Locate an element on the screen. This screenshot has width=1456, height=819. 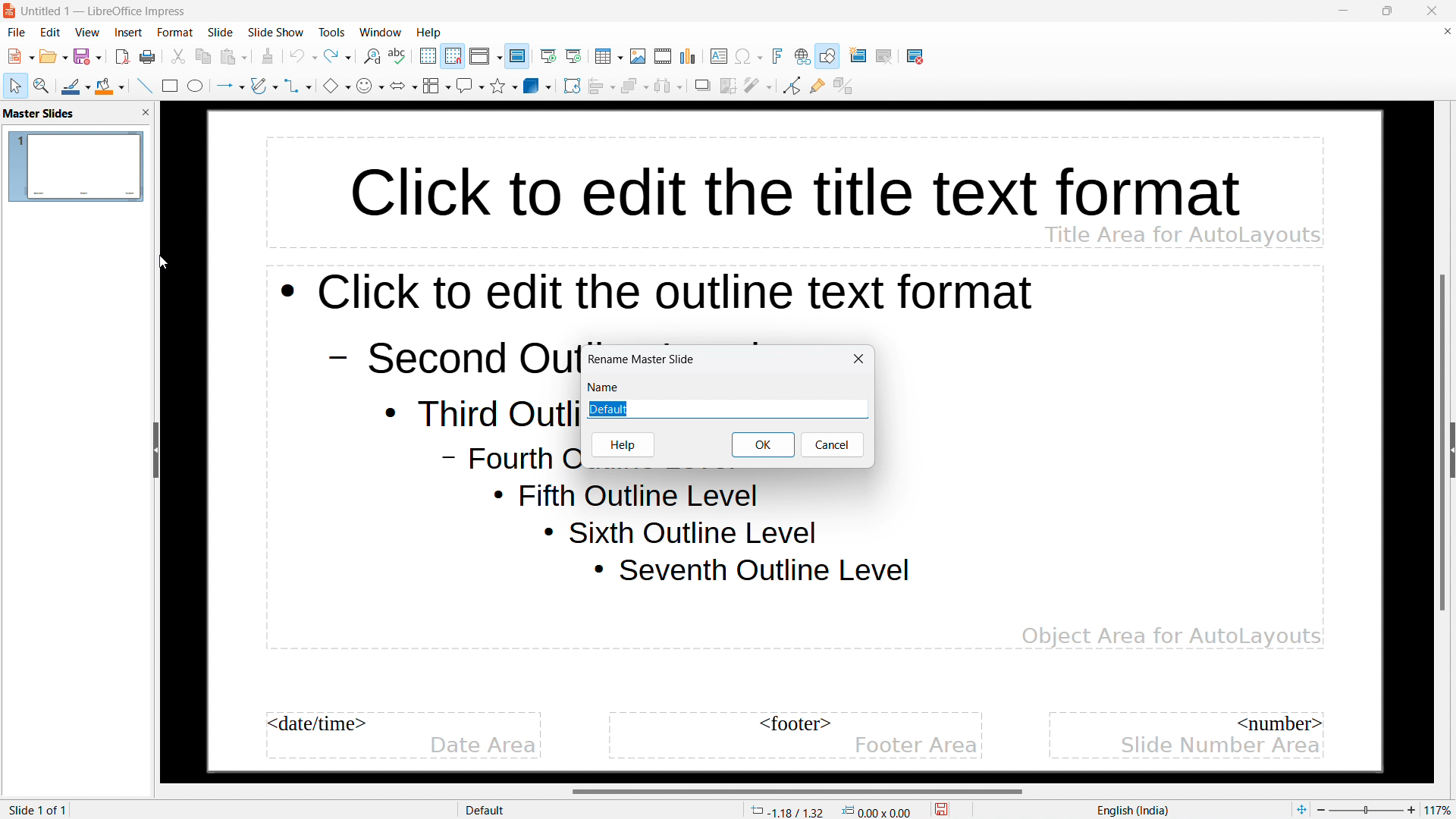
save is located at coordinates (89, 56).